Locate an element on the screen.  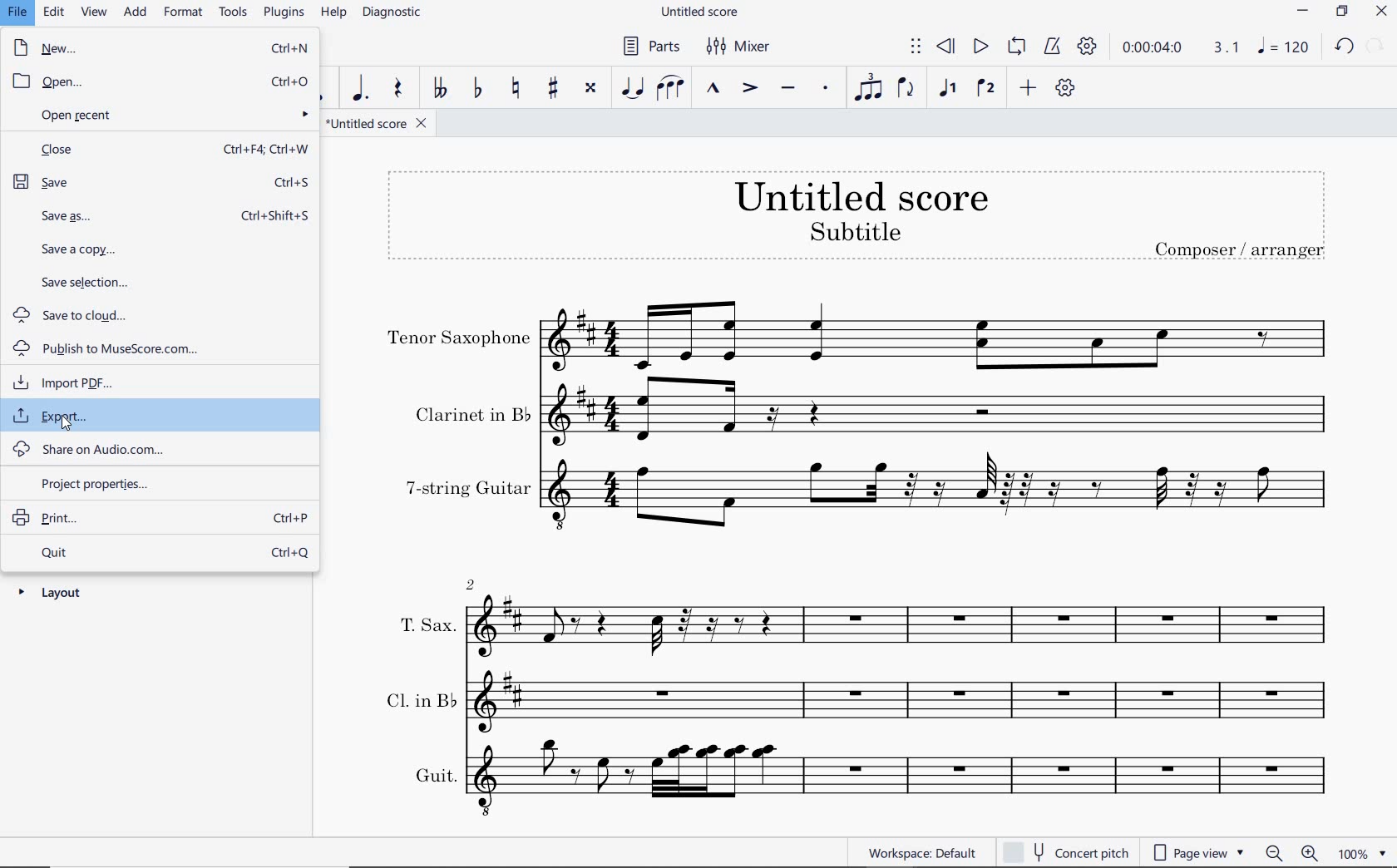
TOGGLE DOUBLE-SHARP is located at coordinates (590, 91).